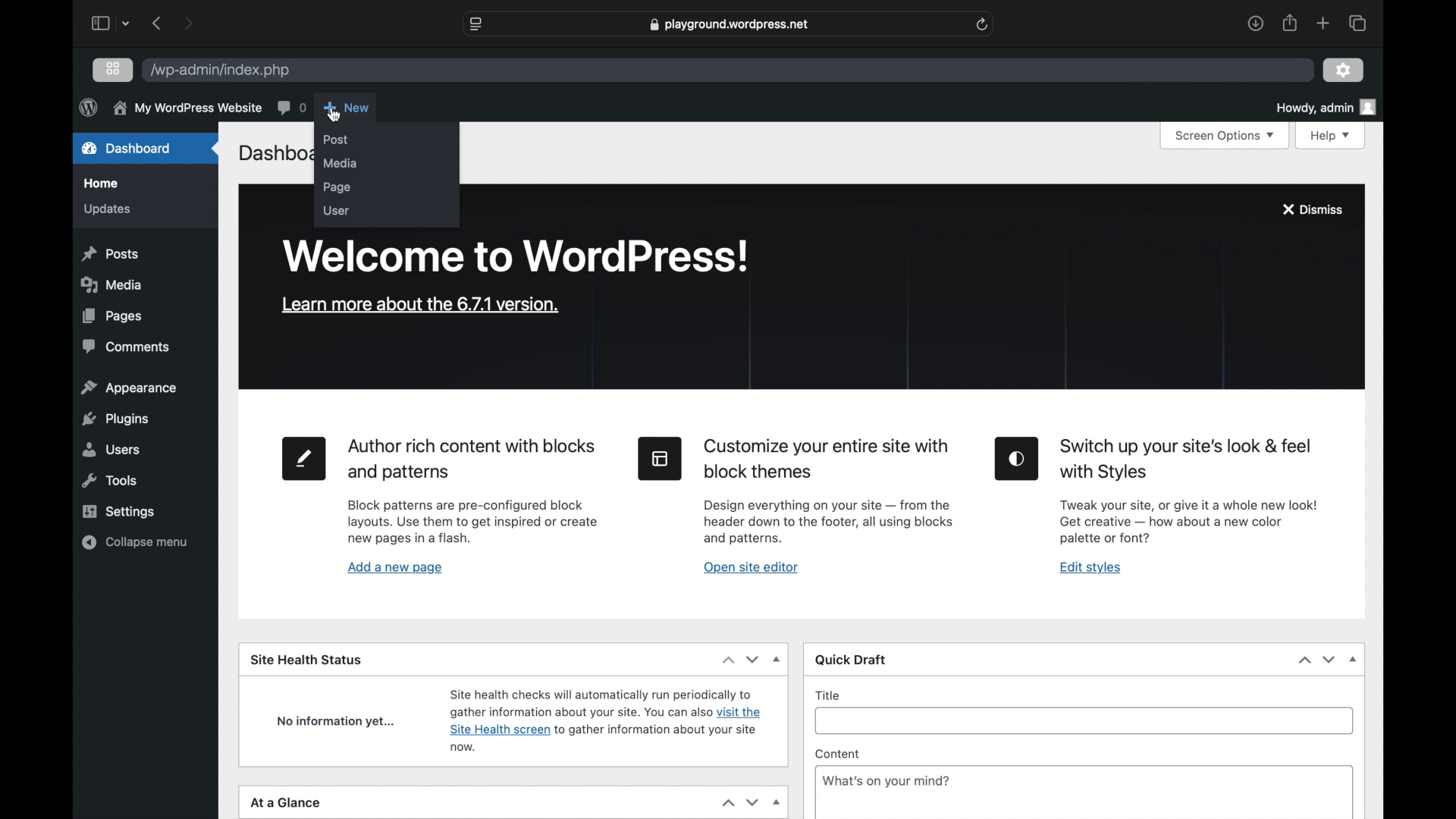 The image size is (1456, 819). What do you see at coordinates (751, 567) in the screenshot?
I see `open site editor` at bounding box center [751, 567].